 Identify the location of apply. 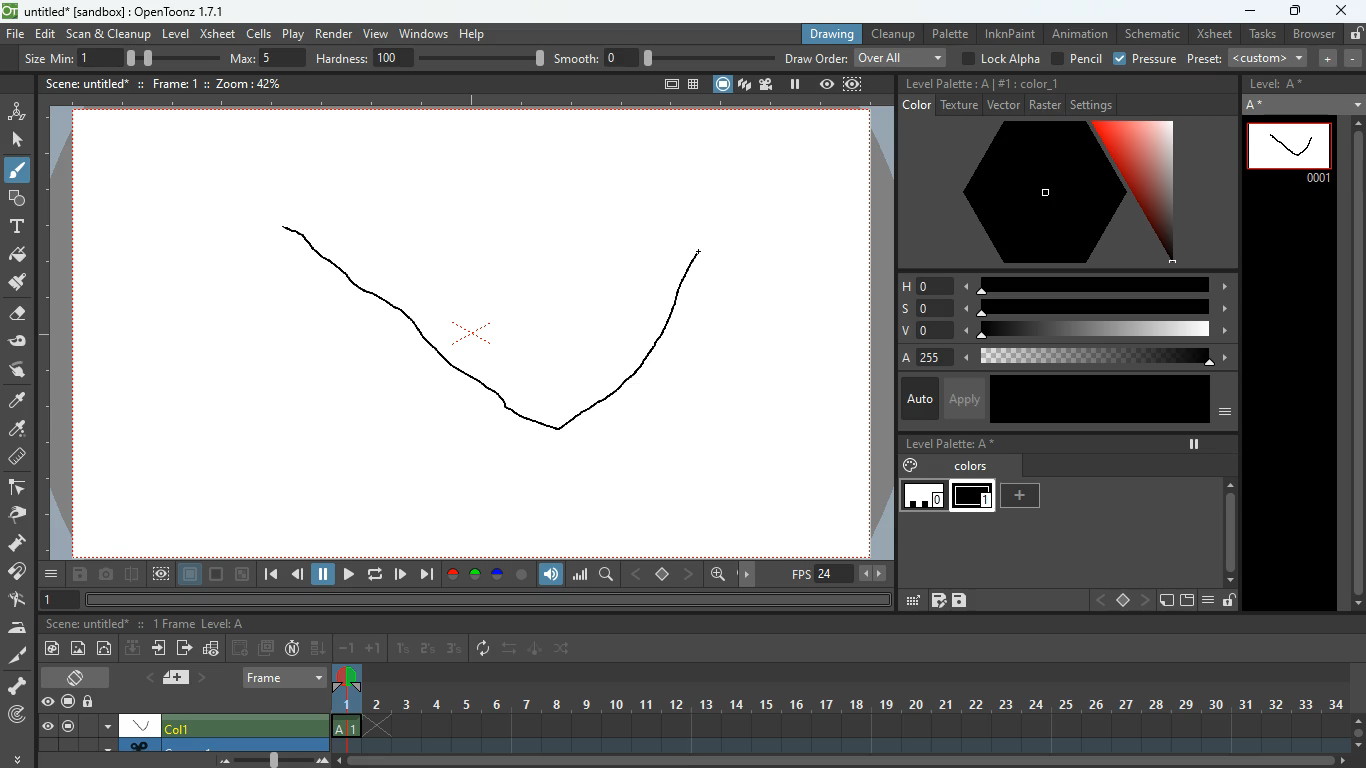
(963, 398).